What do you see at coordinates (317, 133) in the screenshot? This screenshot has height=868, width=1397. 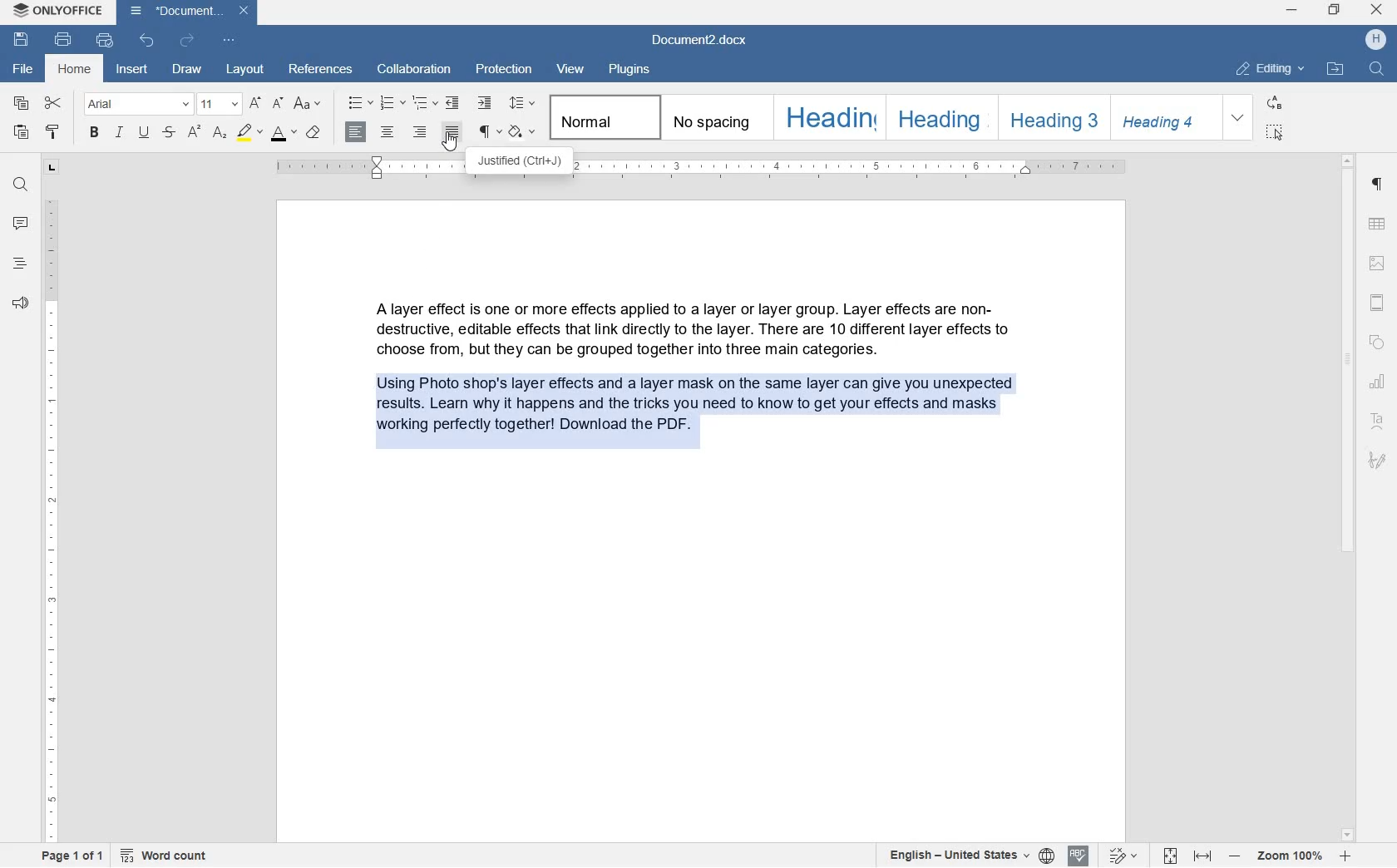 I see `CLEAR STYLE` at bounding box center [317, 133].